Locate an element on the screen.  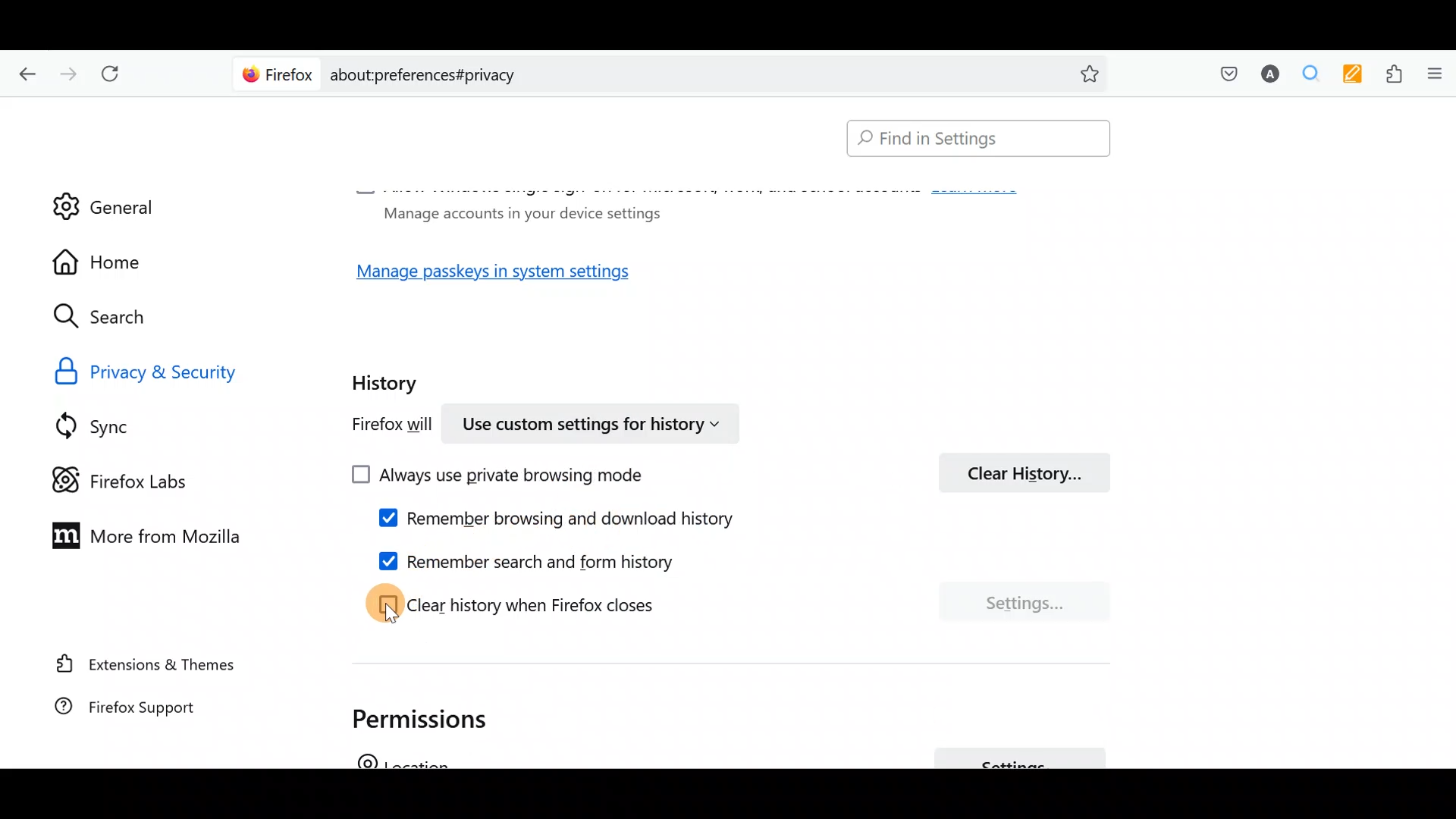
Sync is located at coordinates (113, 425).